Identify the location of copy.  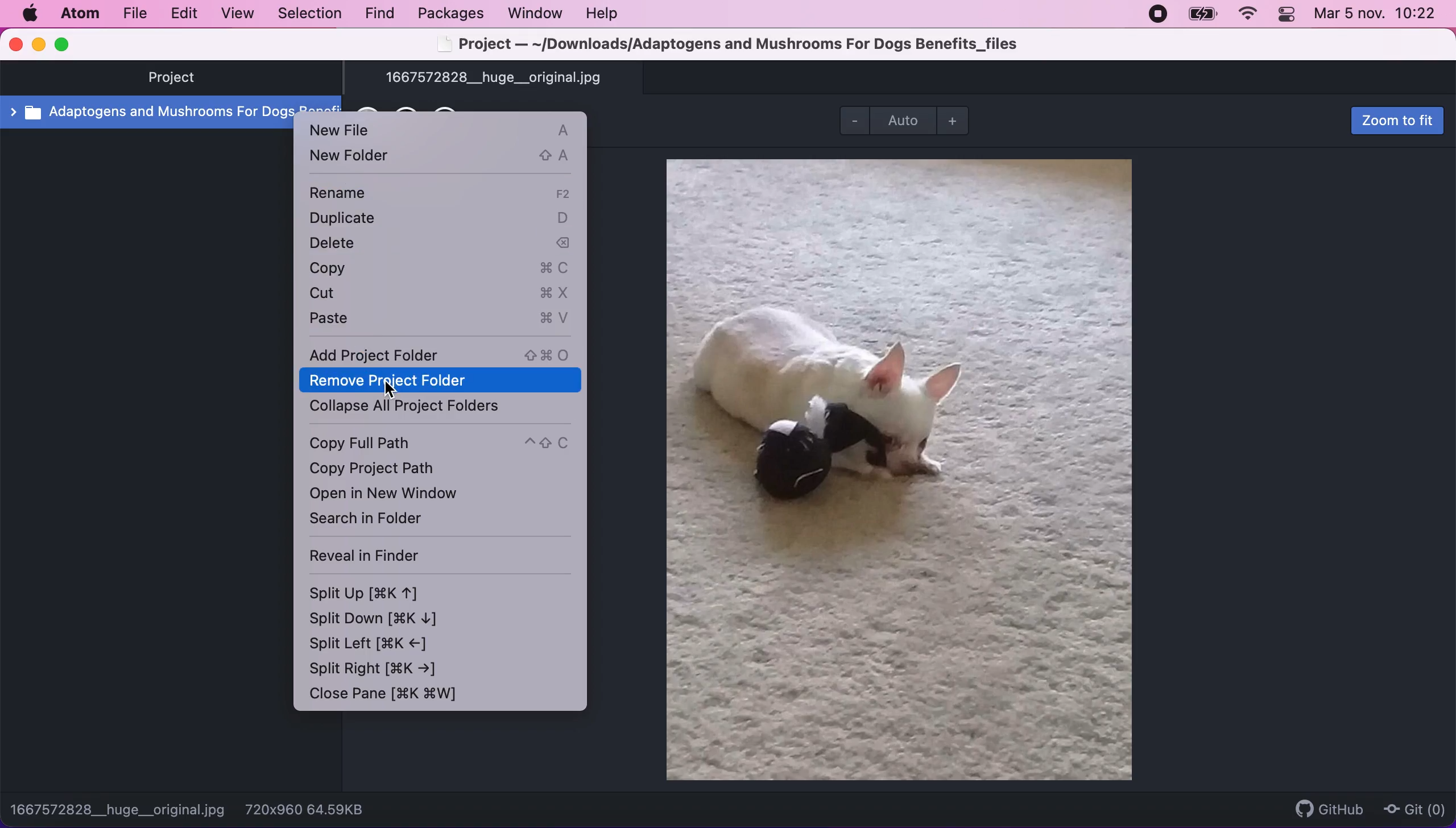
(445, 269).